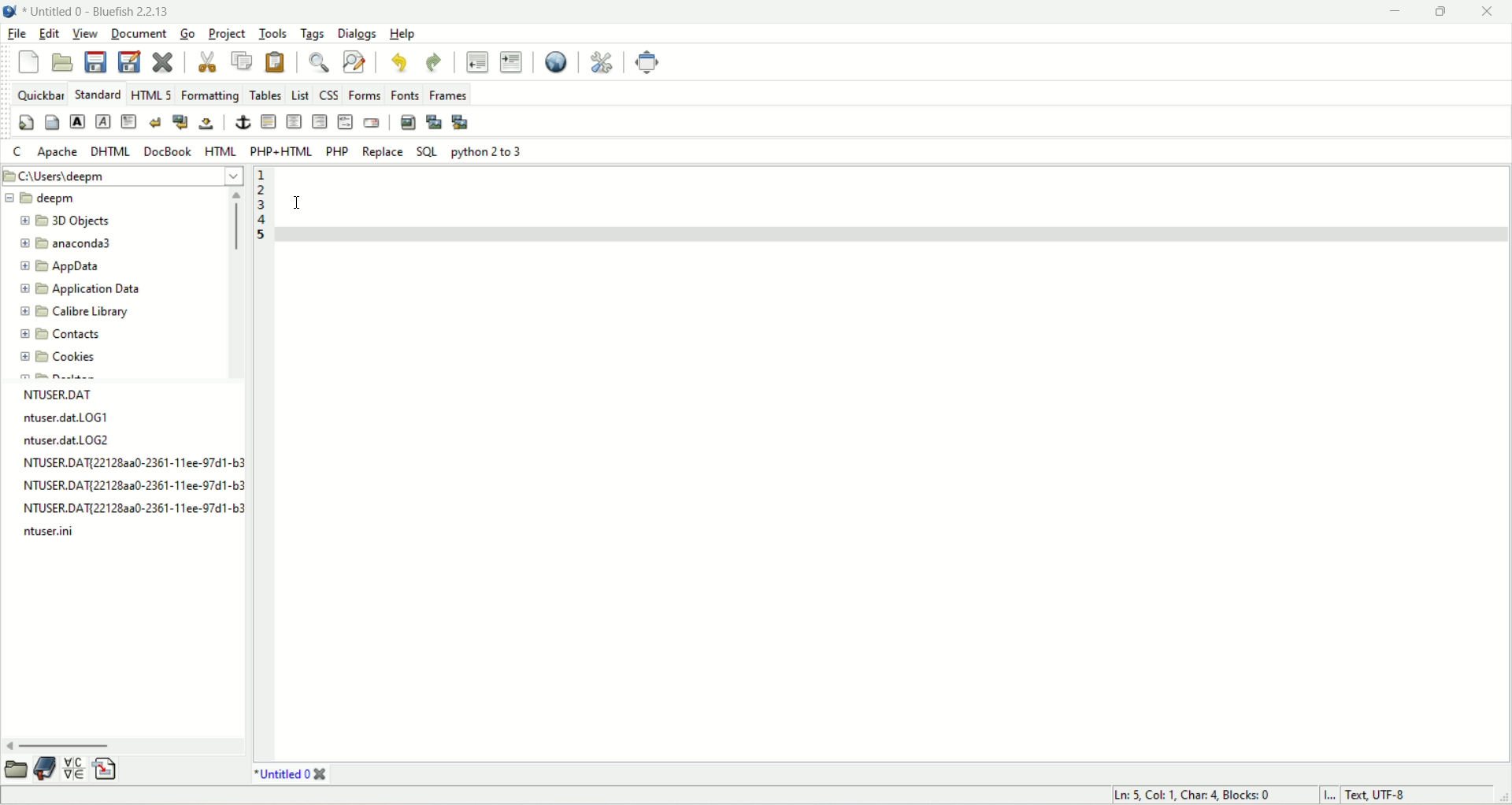  Describe the element at coordinates (29, 61) in the screenshot. I see `new` at that location.